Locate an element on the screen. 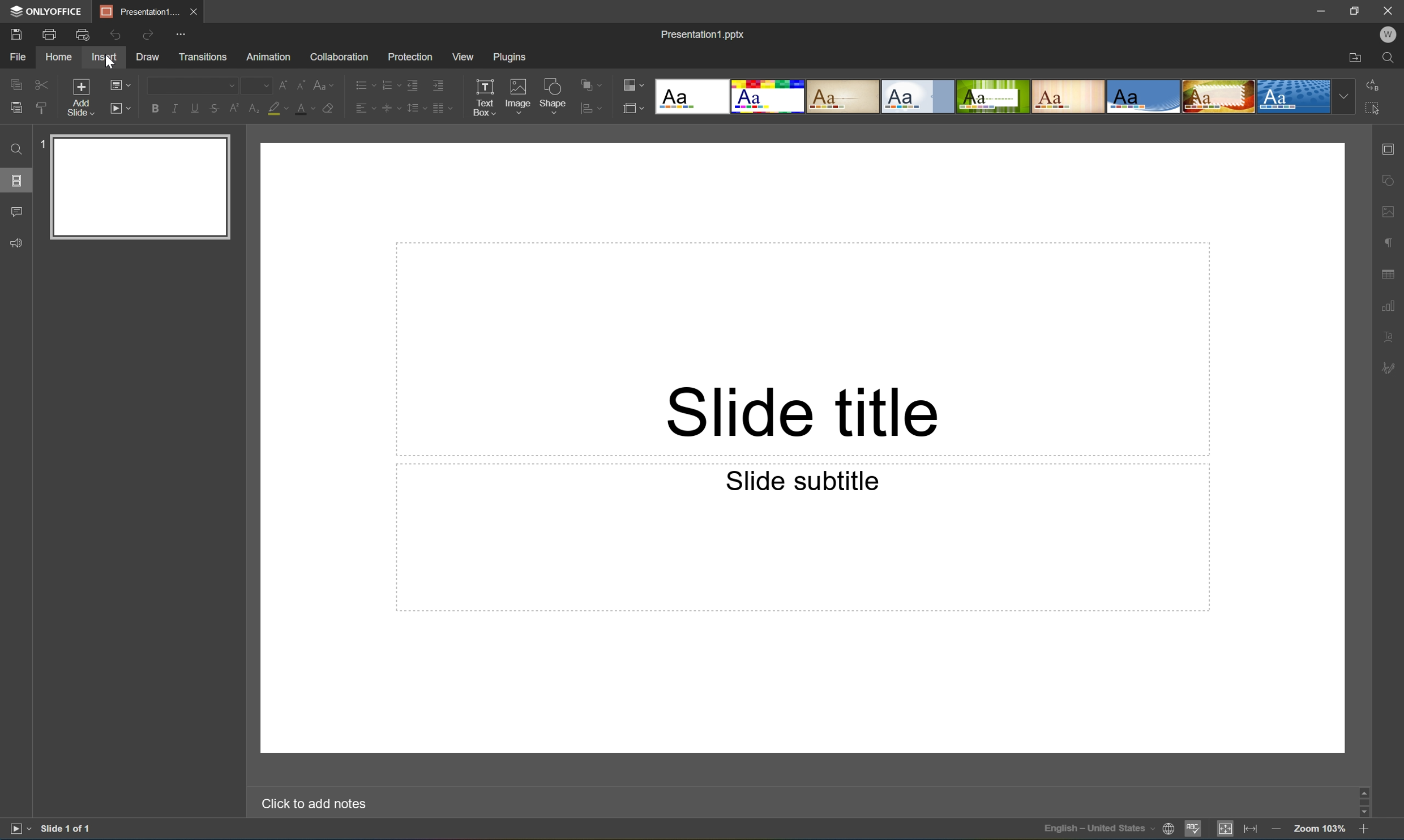 The height and width of the screenshot is (840, 1404). Plugins is located at coordinates (510, 57).